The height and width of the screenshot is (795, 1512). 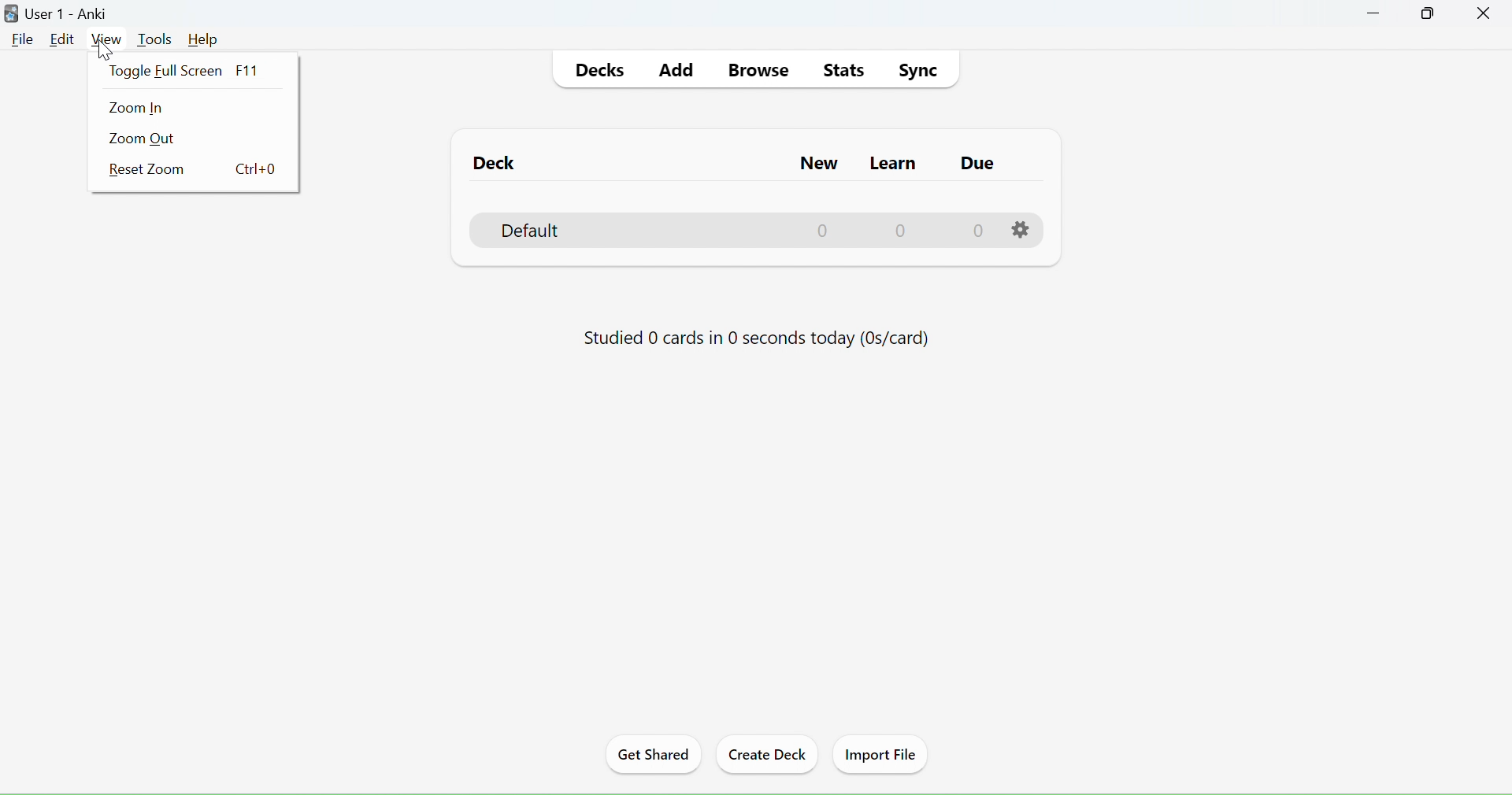 I want to click on new, so click(x=820, y=198).